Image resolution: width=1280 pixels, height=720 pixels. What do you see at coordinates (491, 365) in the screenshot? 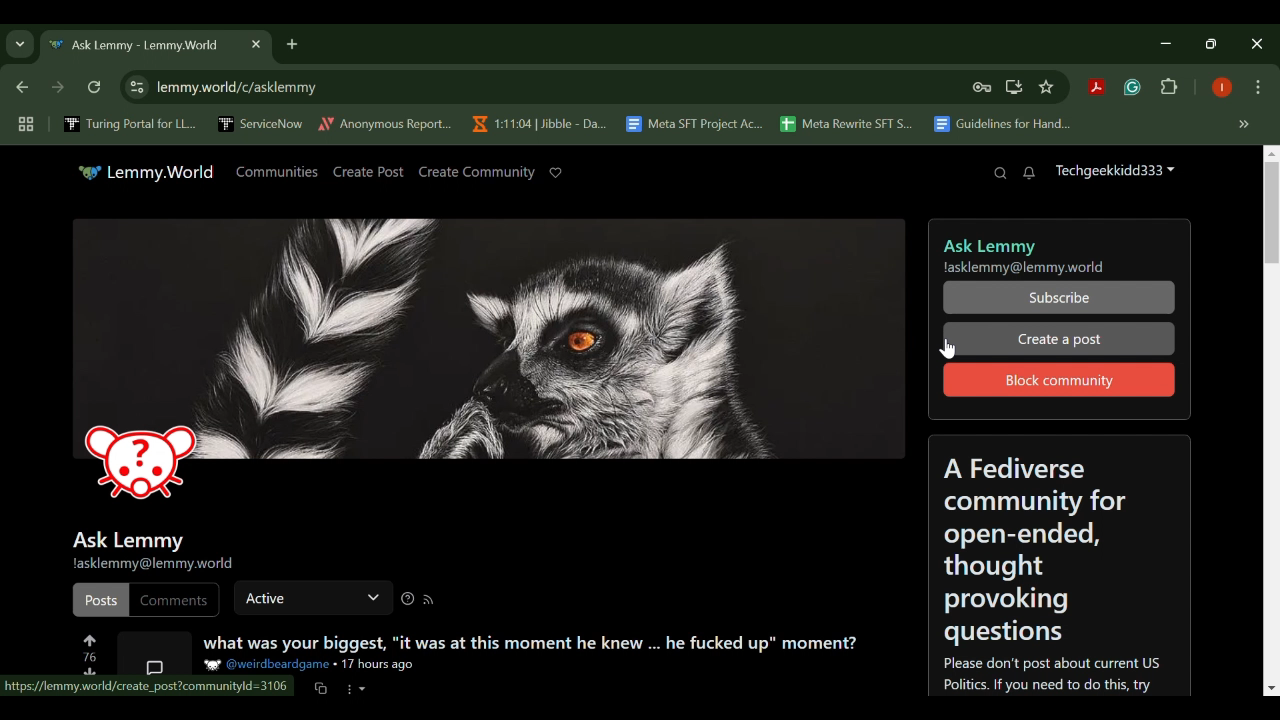
I see `Community Media` at bounding box center [491, 365].